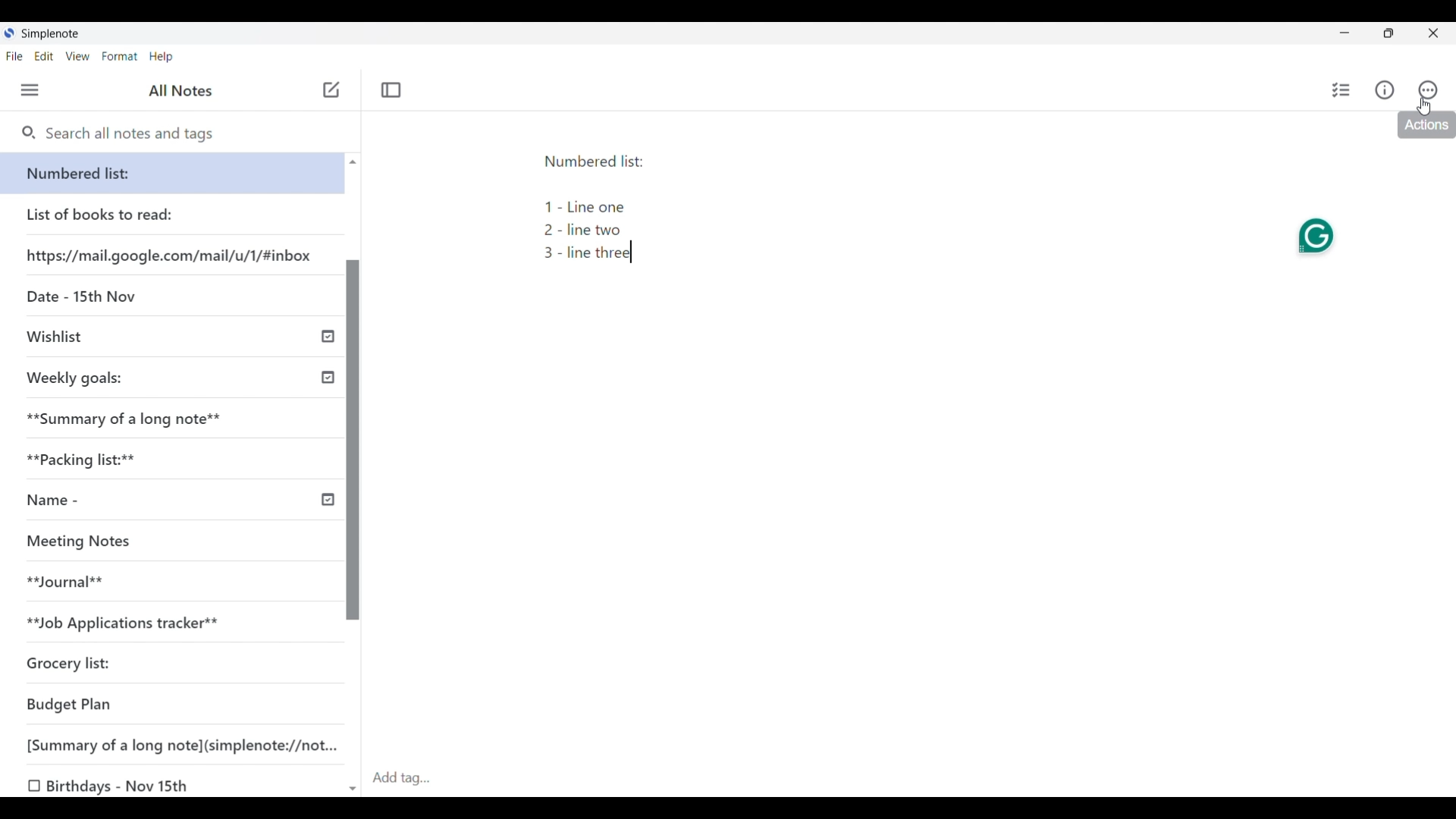 The height and width of the screenshot is (819, 1456). I want to click on 1- Line one
2 - line two
3 - line three], so click(588, 238).